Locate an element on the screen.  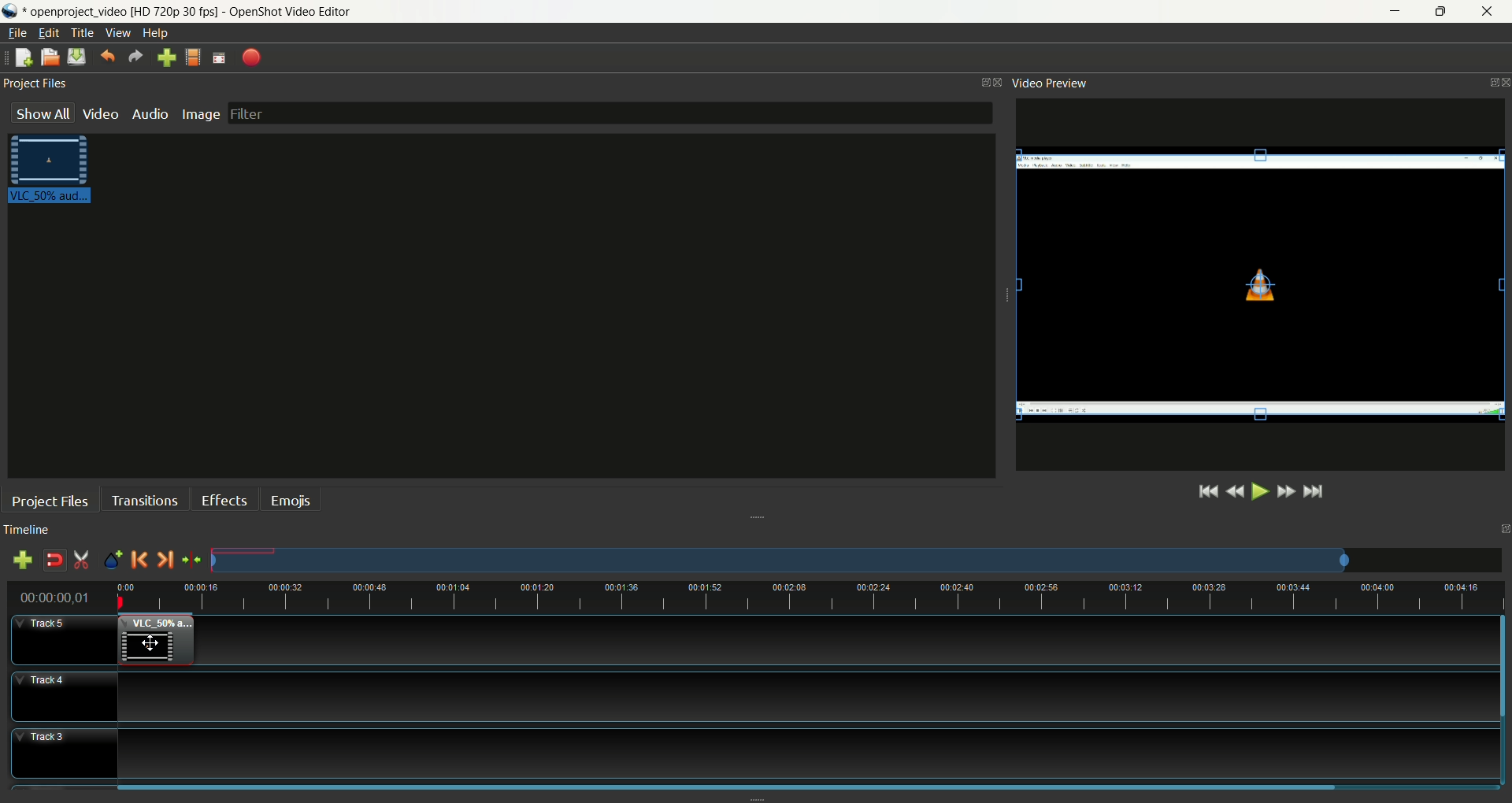
previous marker is located at coordinates (141, 560).